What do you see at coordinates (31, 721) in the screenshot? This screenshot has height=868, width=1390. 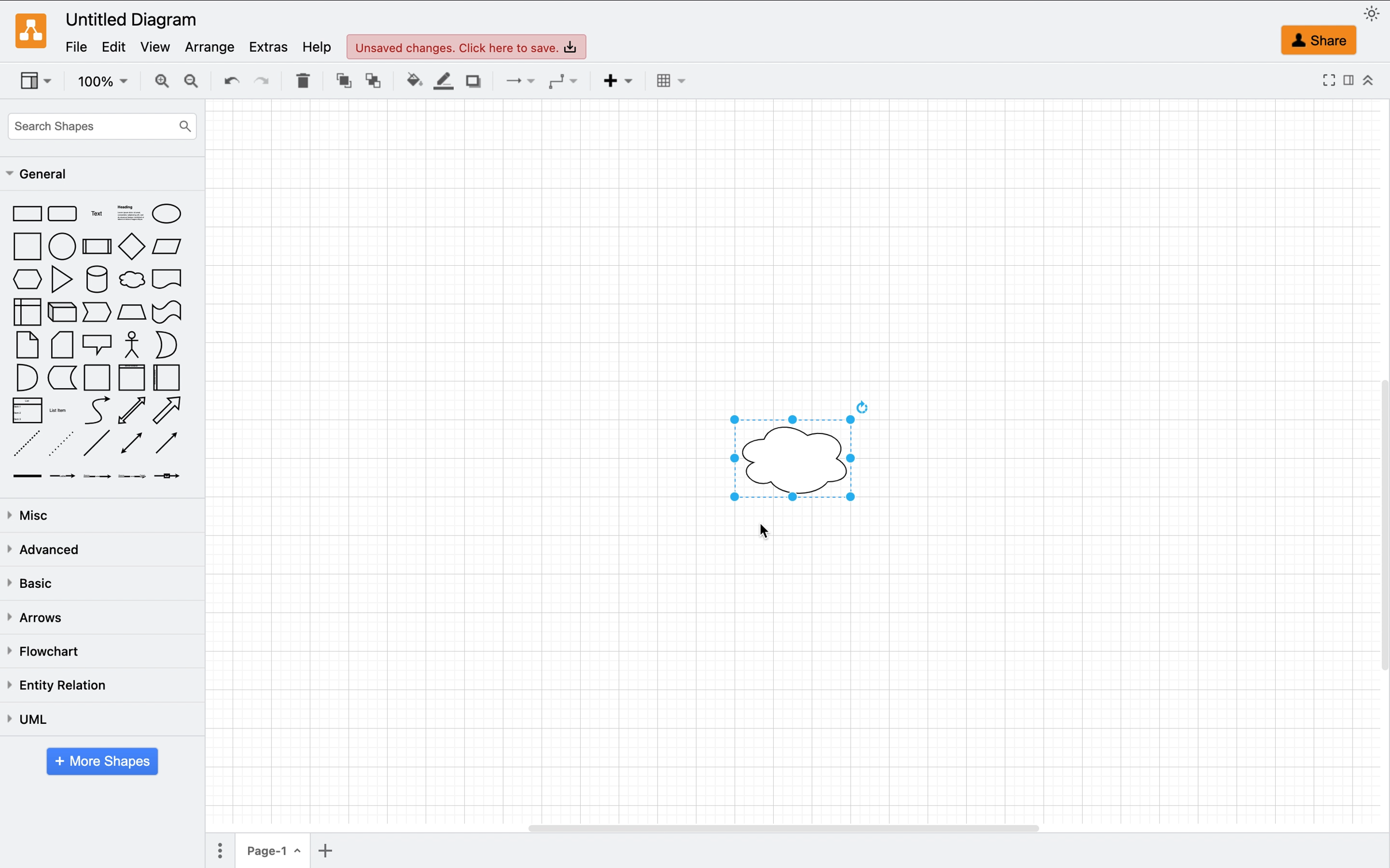 I see `uml` at bounding box center [31, 721].